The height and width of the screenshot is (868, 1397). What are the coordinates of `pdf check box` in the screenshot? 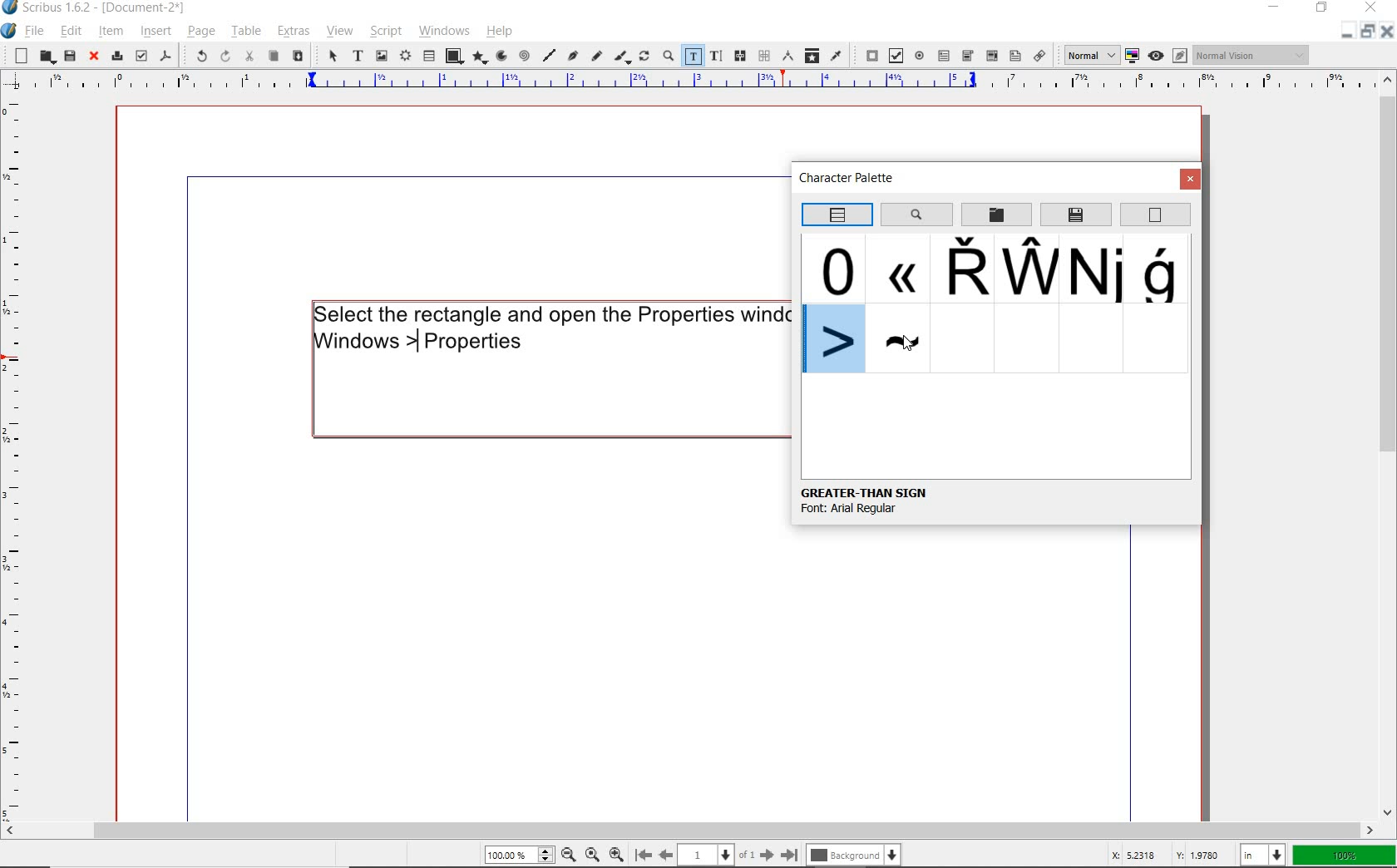 It's located at (895, 55).